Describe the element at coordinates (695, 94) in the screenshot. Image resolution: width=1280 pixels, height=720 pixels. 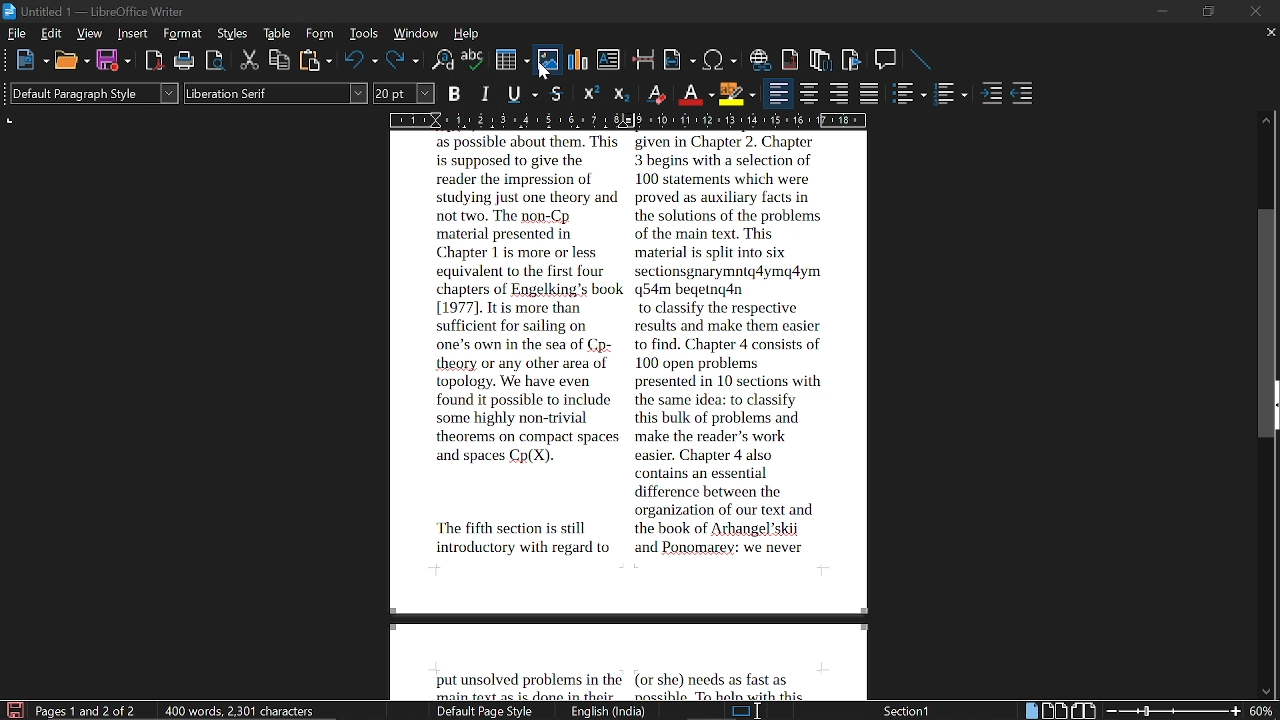
I see `text color` at that location.